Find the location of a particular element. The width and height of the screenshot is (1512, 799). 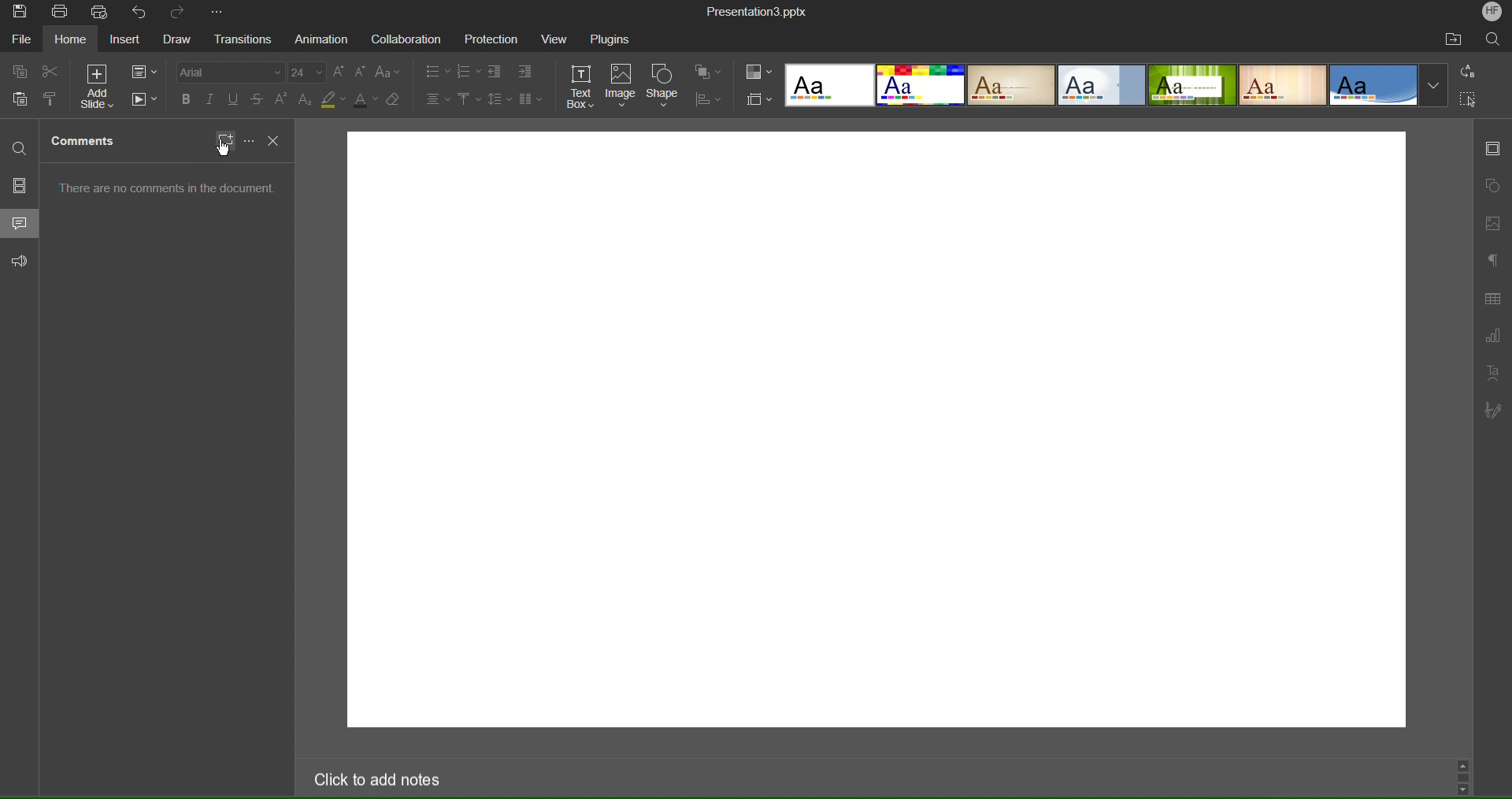

Feedback and Support is located at coordinates (22, 262).